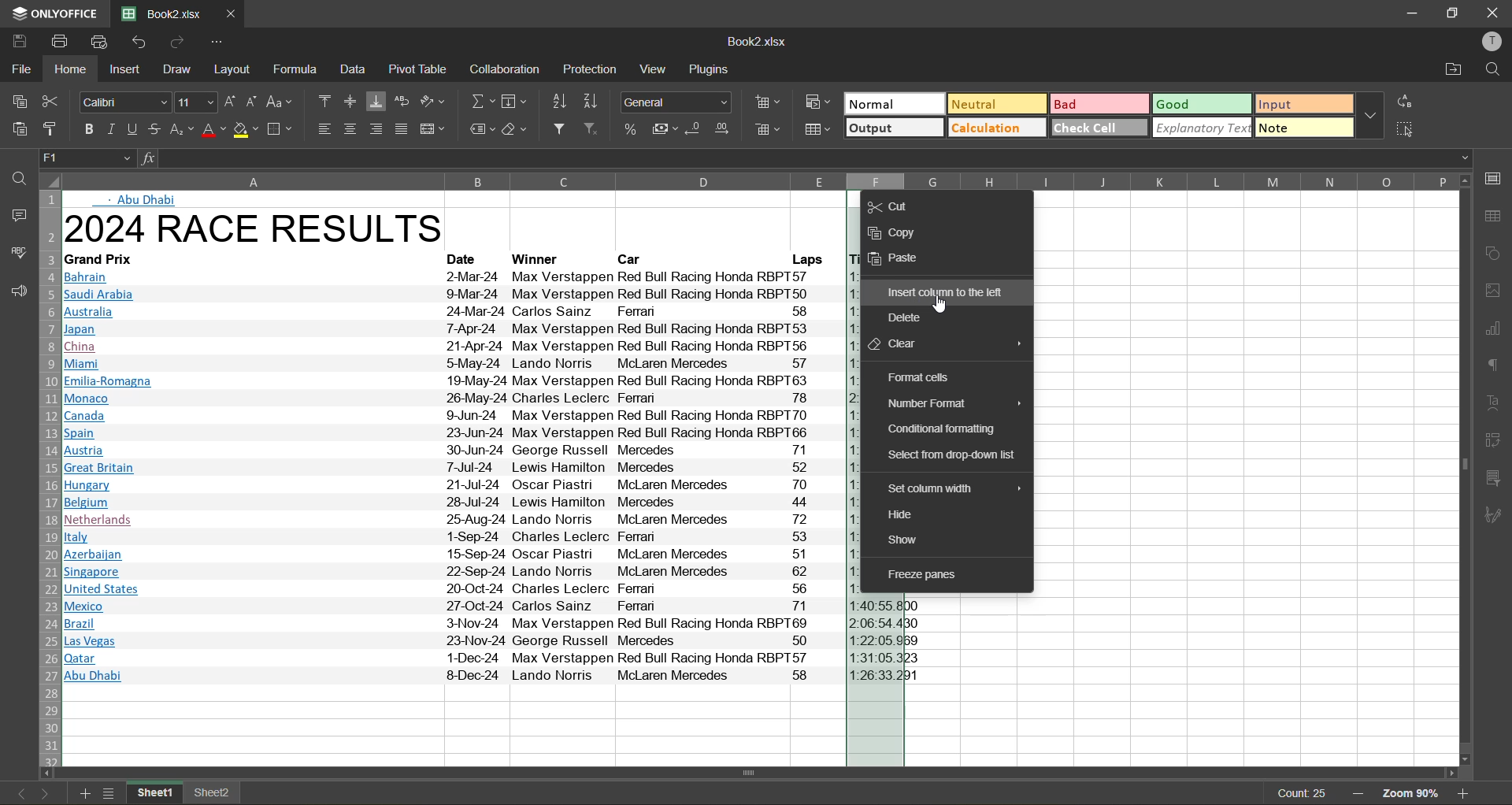 The height and width of the screenshot is (805, 1512). I want to click on IHungary 21-Jul-24 Oscar Piastn McLaren Mercedes 70 1:38:01.989, so click(450, 486).